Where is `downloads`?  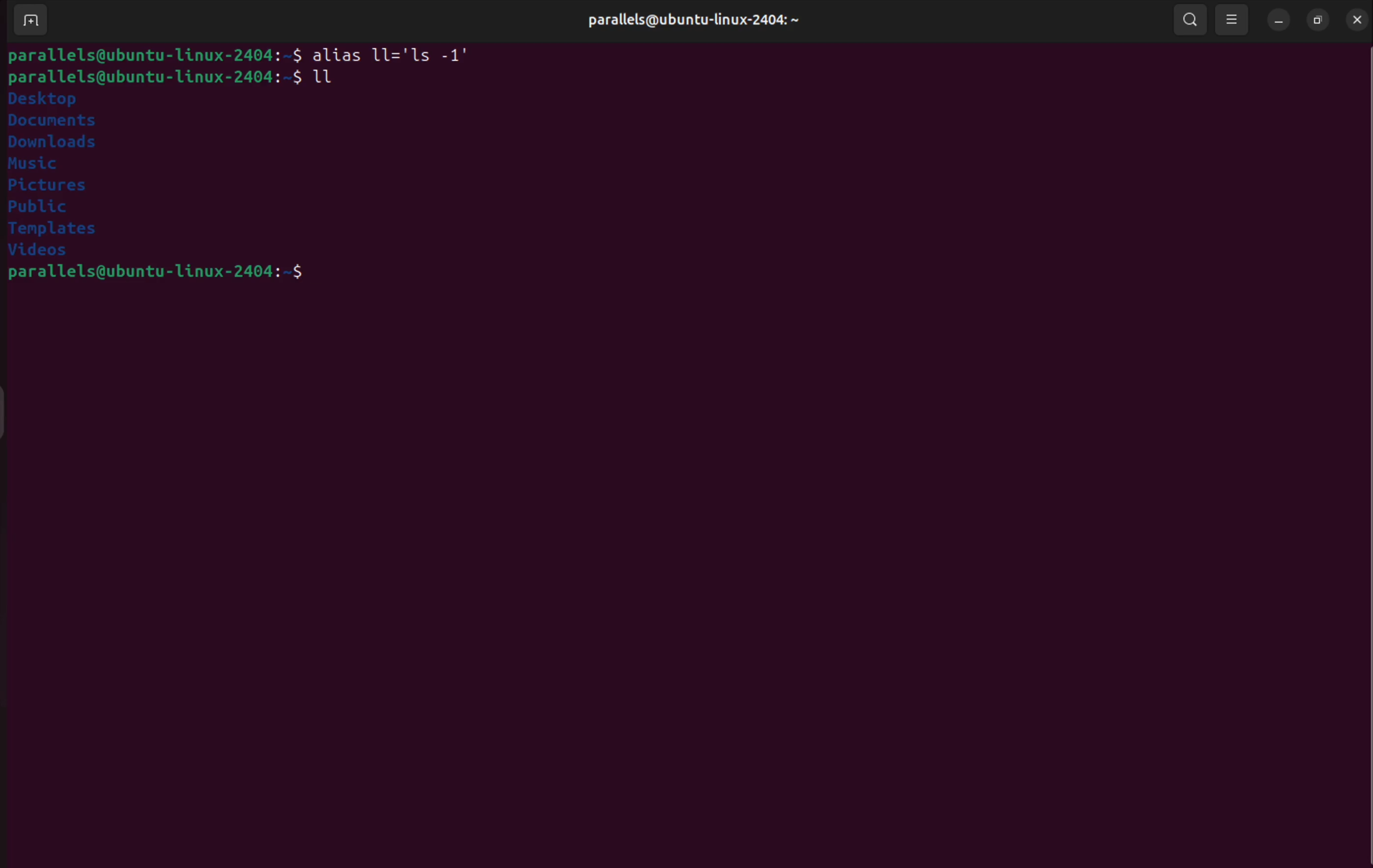
downloads is located at coordinates (60, 143).